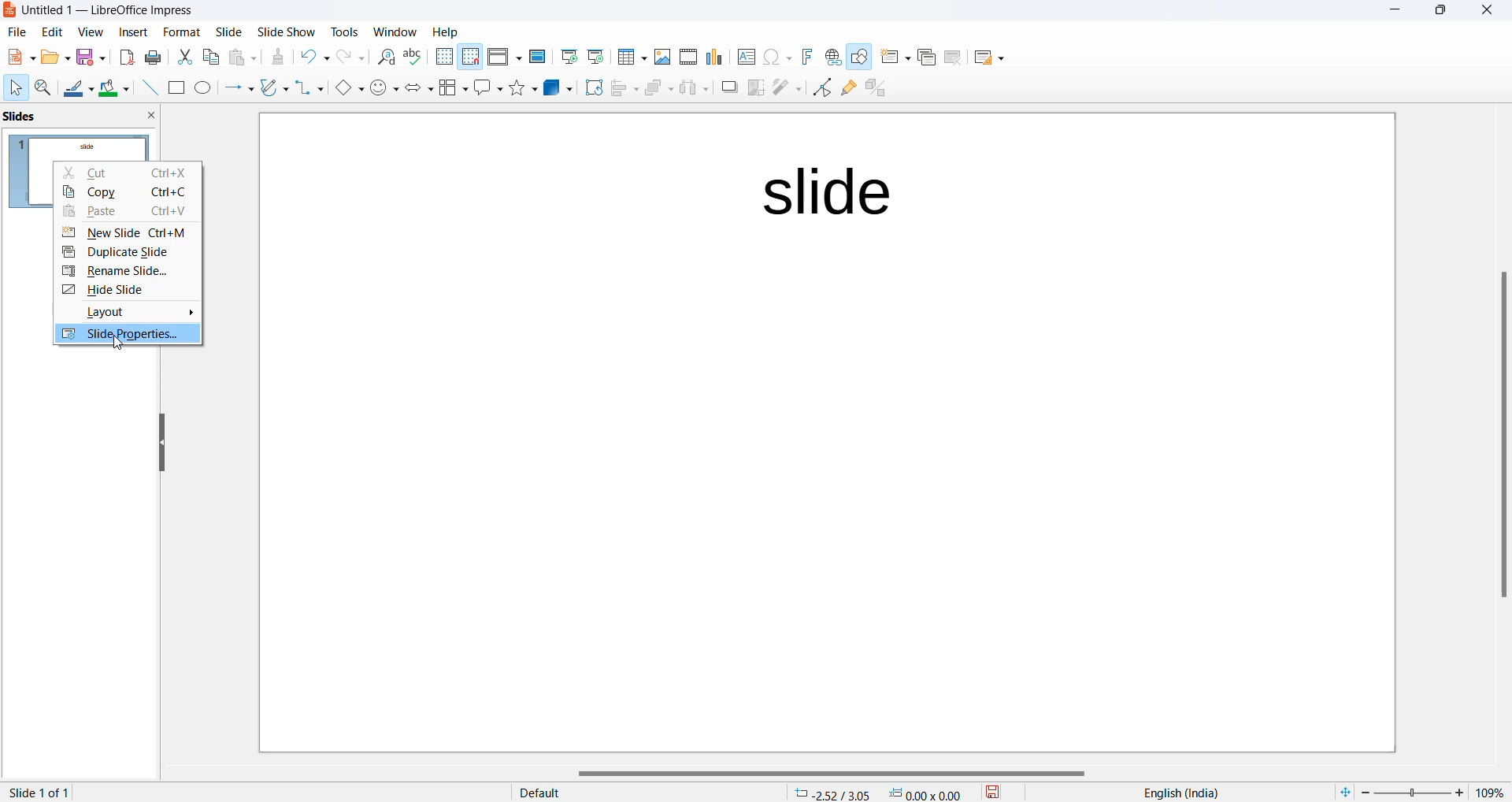 This screenshot has width=1512, height=802. Describe the element at coordinates (15, 88) in the screenshot. I see `cursor` at that location.